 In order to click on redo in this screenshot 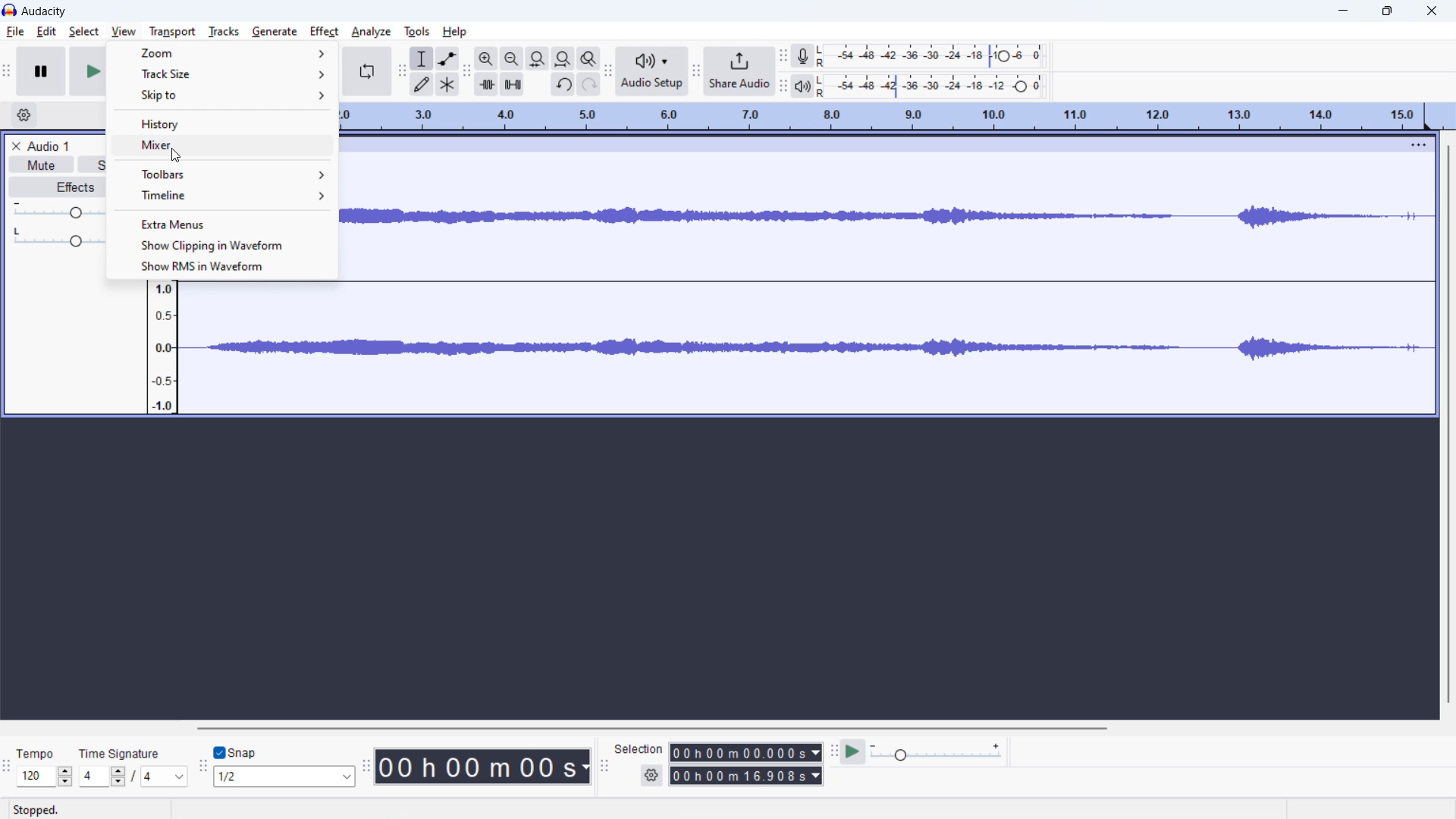, I will do `click(589, 84)`.